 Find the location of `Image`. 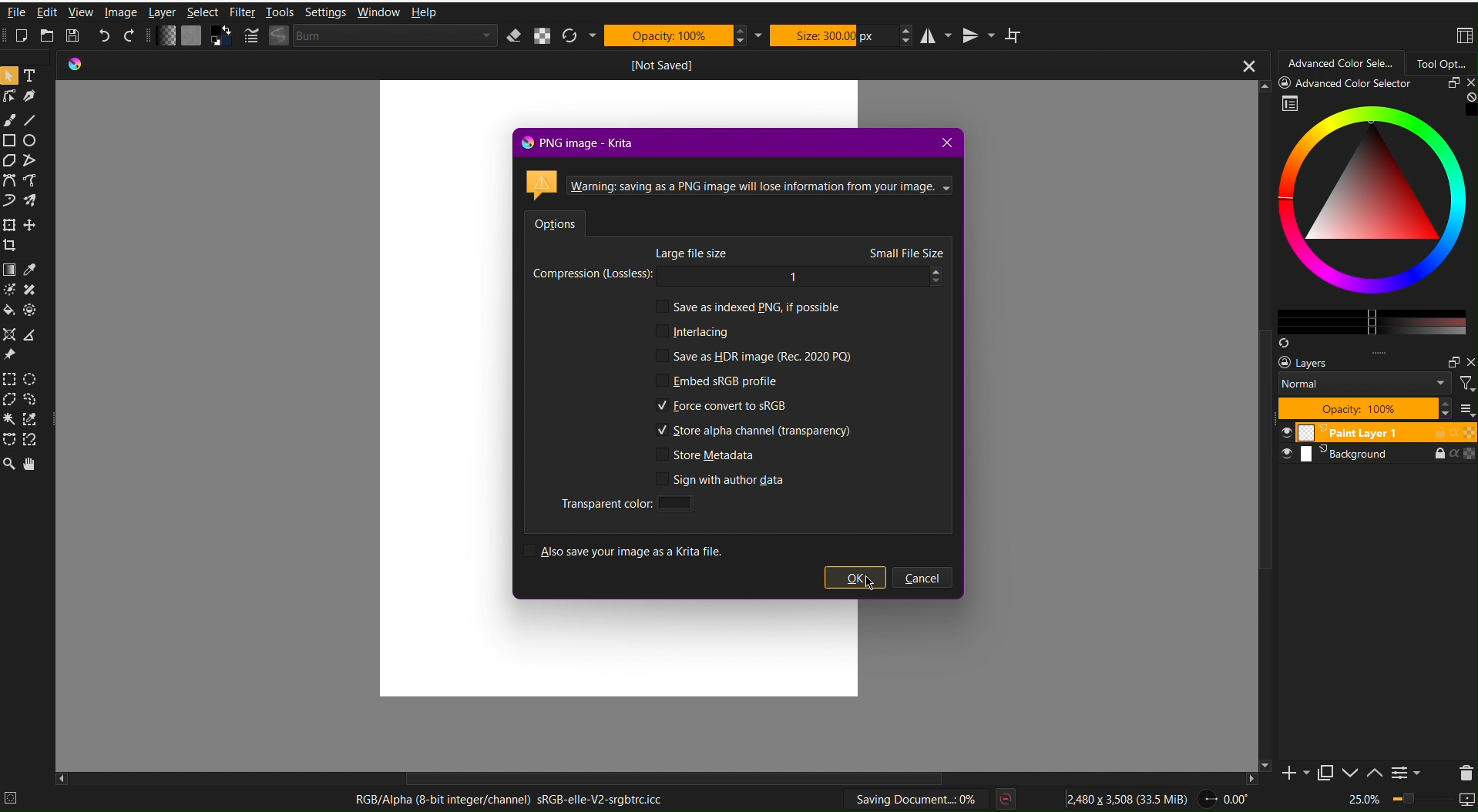

Image is located at coordinates (119, 12).